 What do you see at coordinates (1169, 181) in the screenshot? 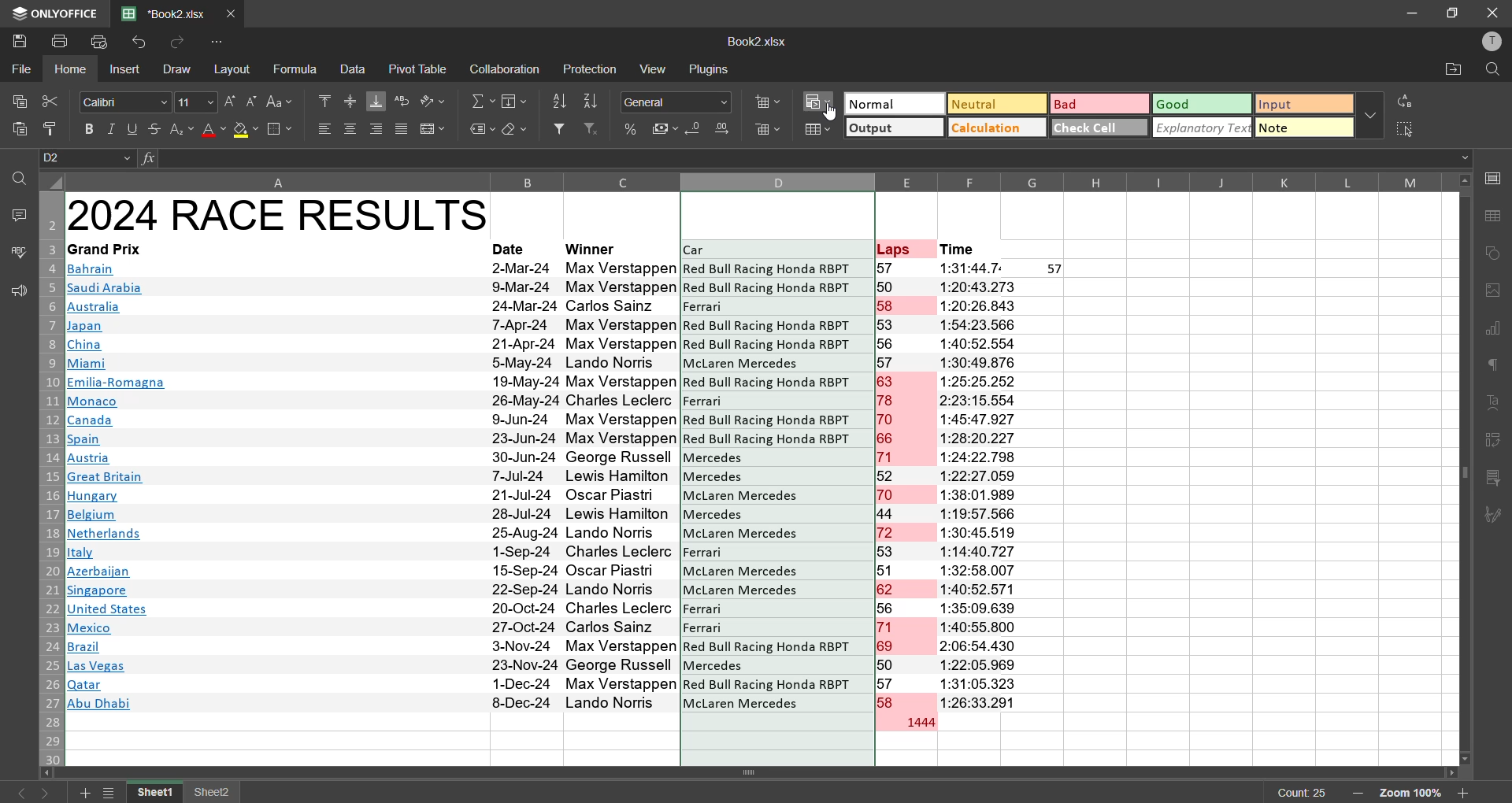
I see `column names` at bounding box center [1169, 181].